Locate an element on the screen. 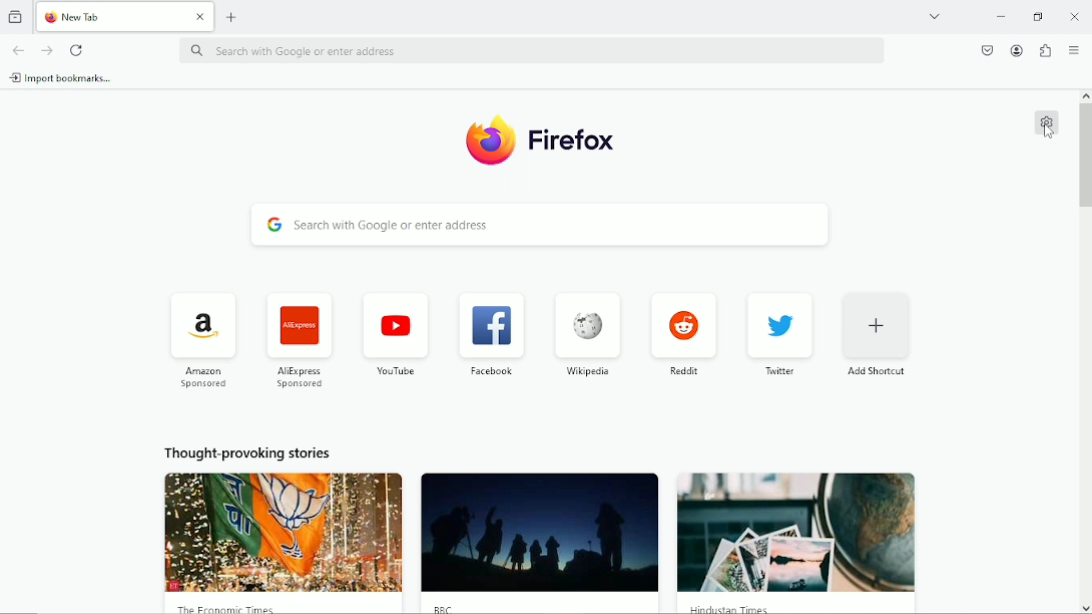  Go back is located at coordinates (17, 49).